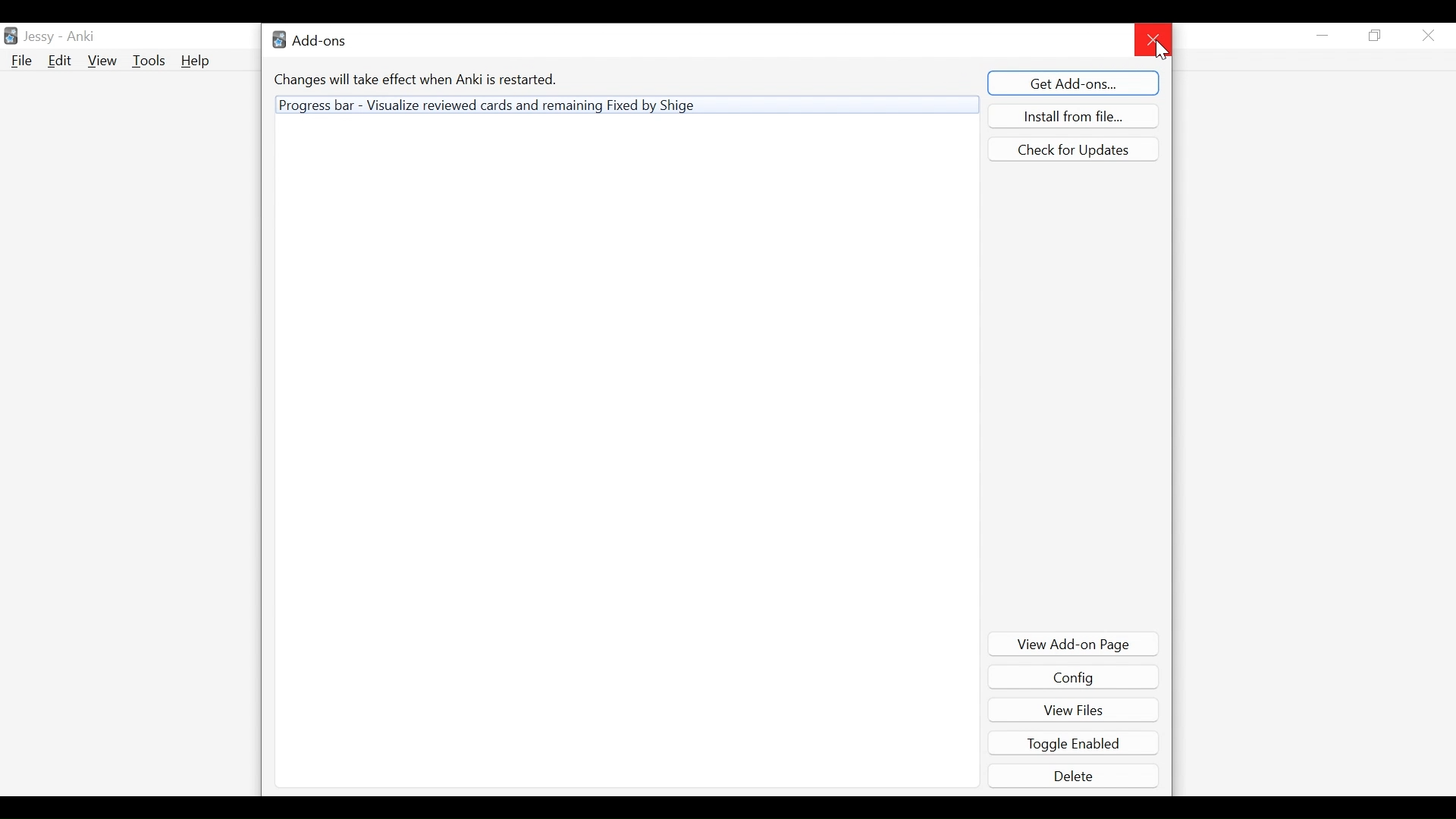  I want to click on View, so click(102, 60).